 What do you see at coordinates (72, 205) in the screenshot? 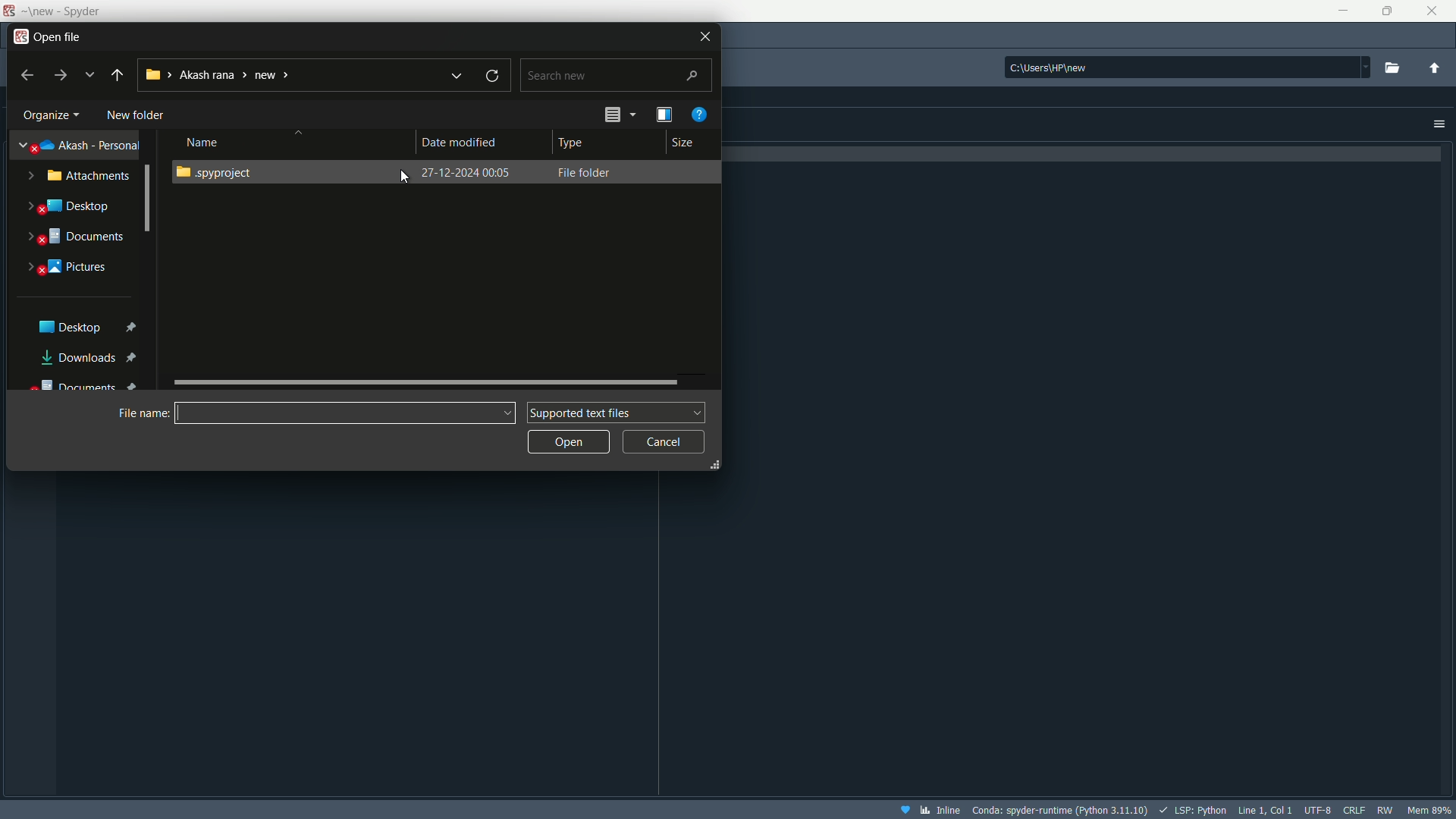
I see `Desktop` at bounding box center [72, 205].